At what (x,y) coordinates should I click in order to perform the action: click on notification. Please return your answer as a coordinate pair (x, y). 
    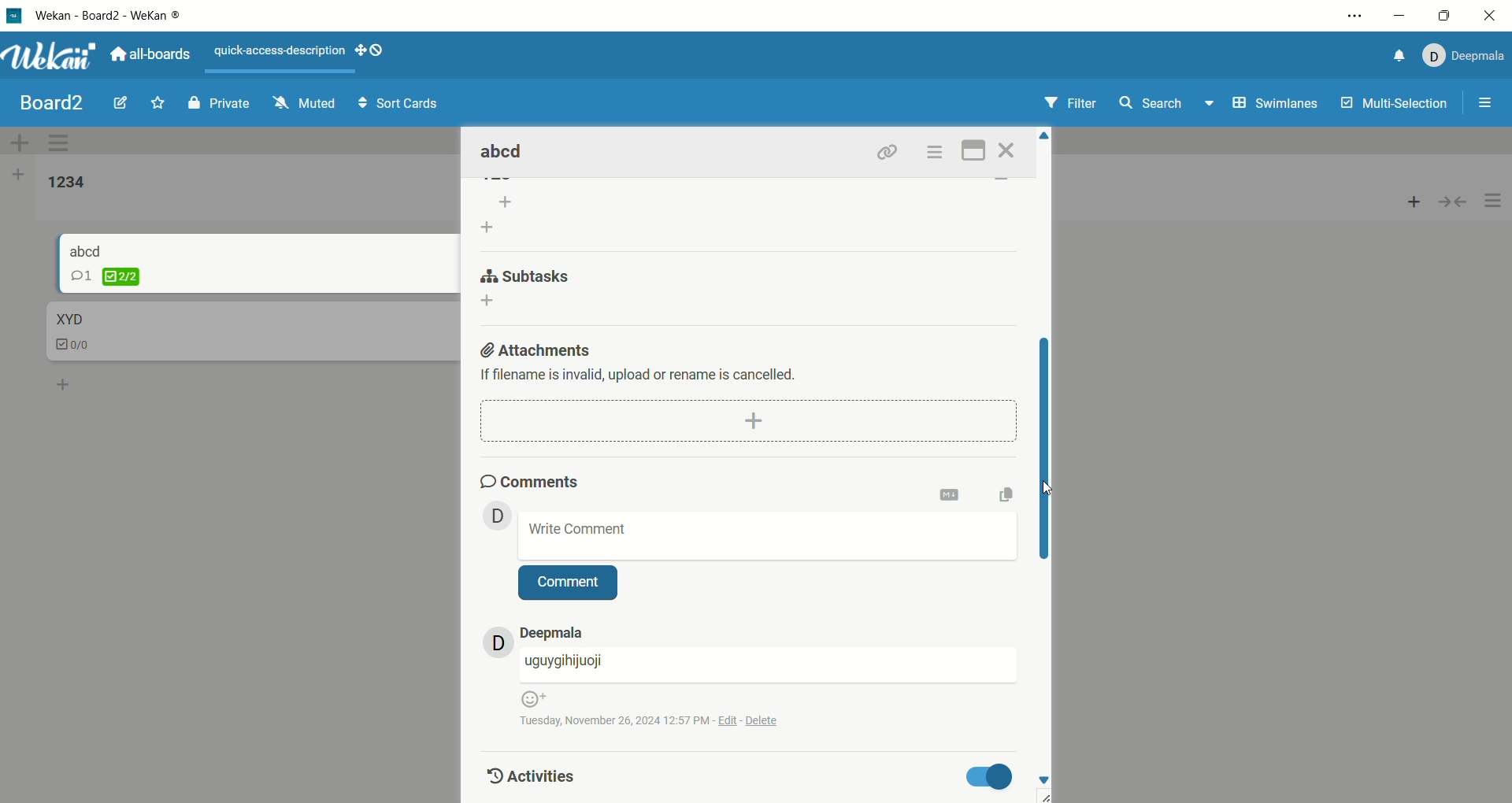
    Looking at the image, I should click on (1395, 58).